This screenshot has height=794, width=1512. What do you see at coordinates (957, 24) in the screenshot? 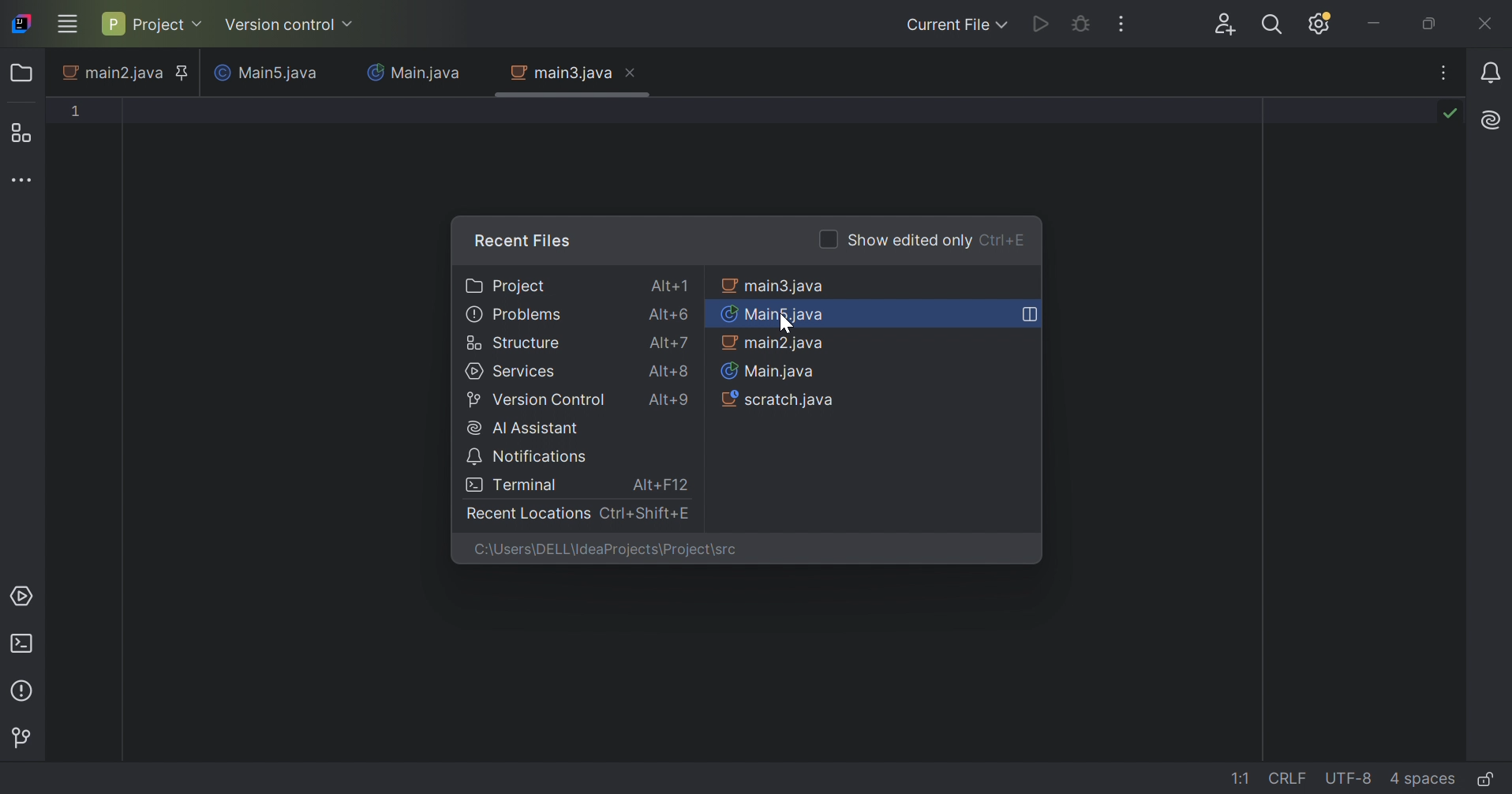
I see `Current file` at bounding box center [957, 24].